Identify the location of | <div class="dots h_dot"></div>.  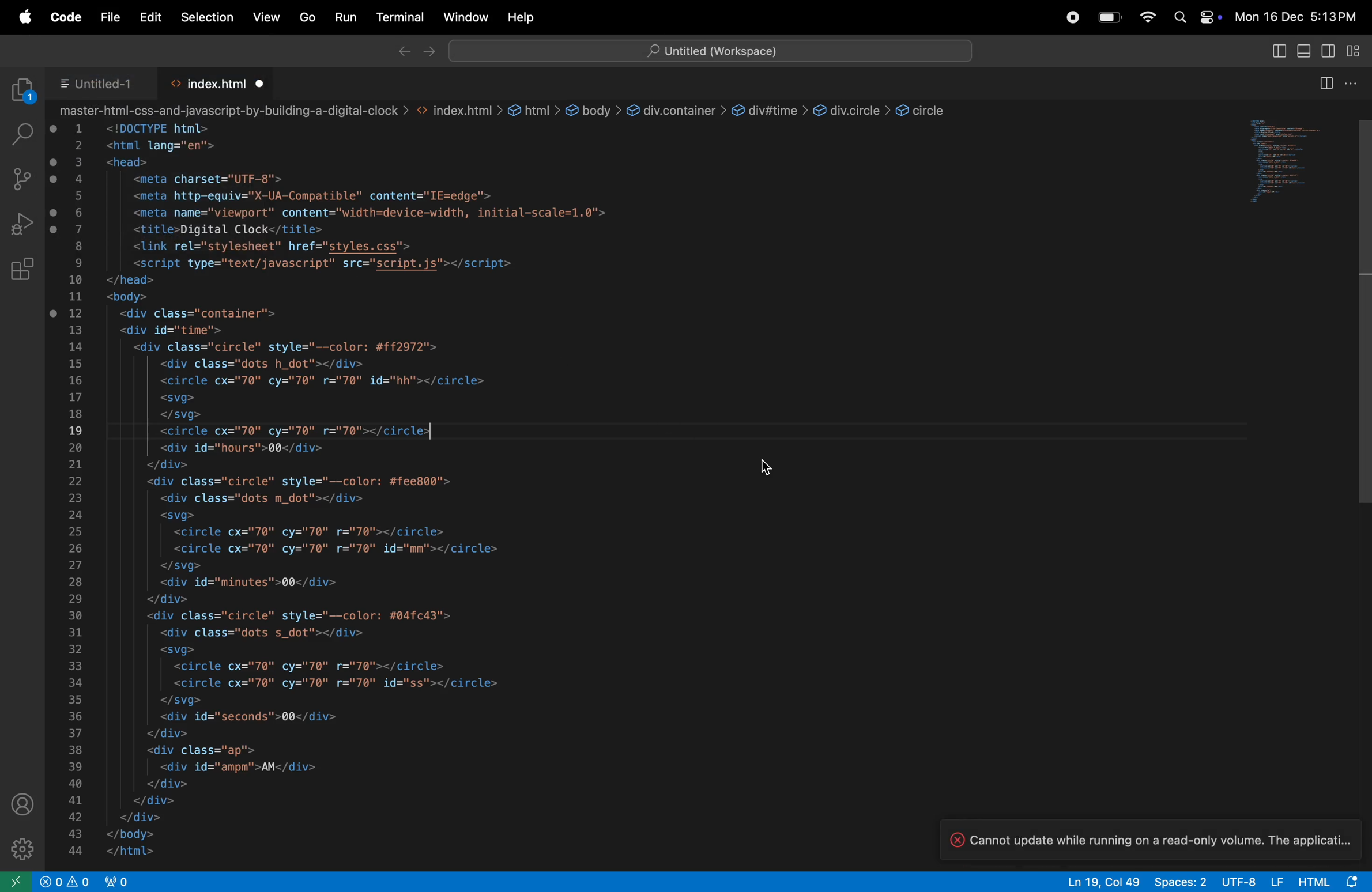
(259, 365).